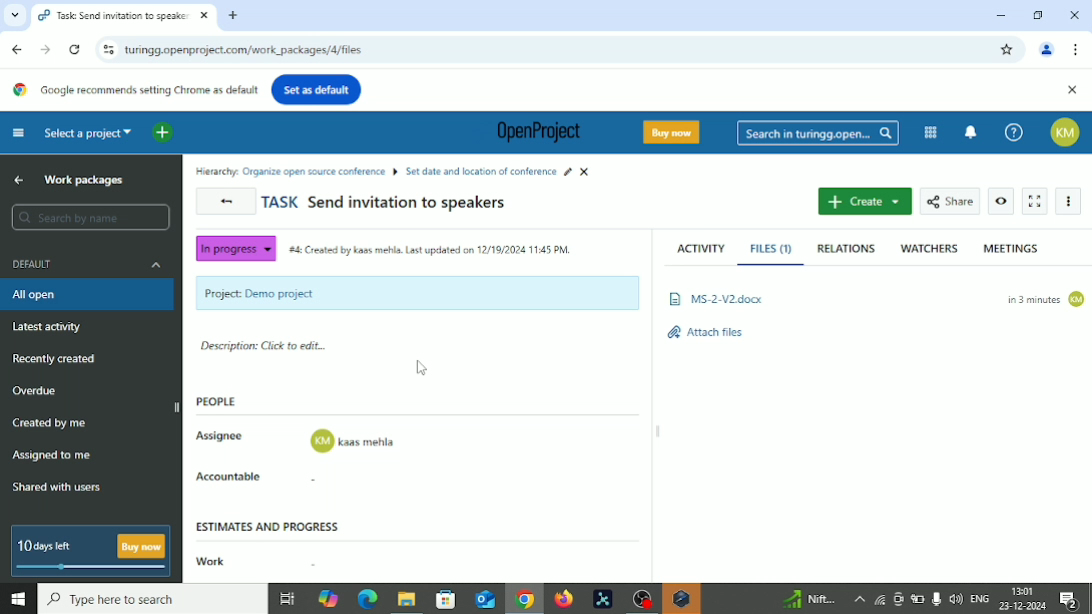 Image resolution: width=1092 pixels, height=614 pixels. Describe the element at coordinates (163, 133) in the screenshot. I see `Open quick add menu` at that location.